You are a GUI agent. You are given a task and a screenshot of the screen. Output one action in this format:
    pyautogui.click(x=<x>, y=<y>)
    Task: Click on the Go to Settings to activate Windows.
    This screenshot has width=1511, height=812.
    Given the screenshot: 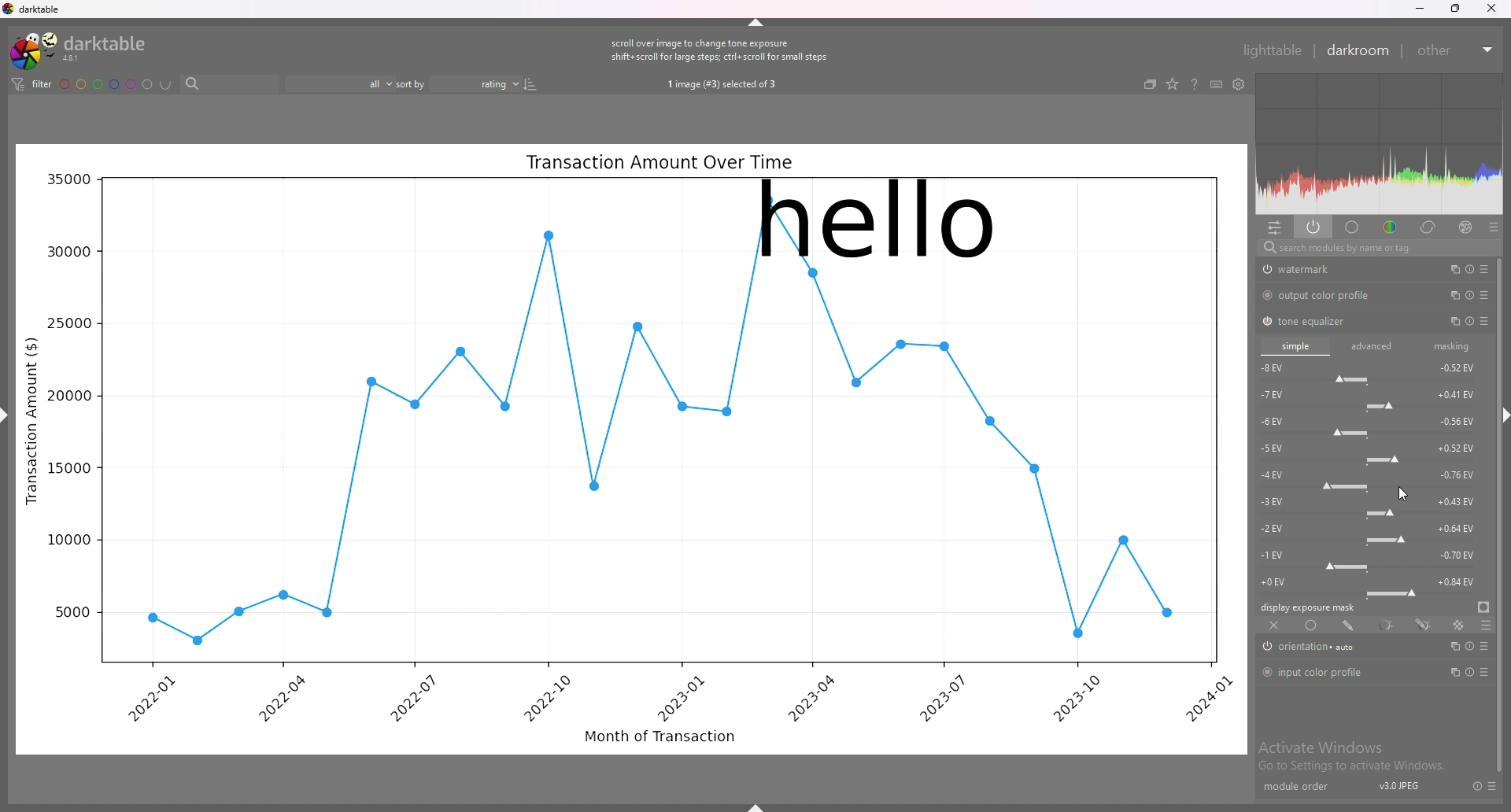 What is the action you would take?
    pyautogui.click(x=1353, y=767)
    